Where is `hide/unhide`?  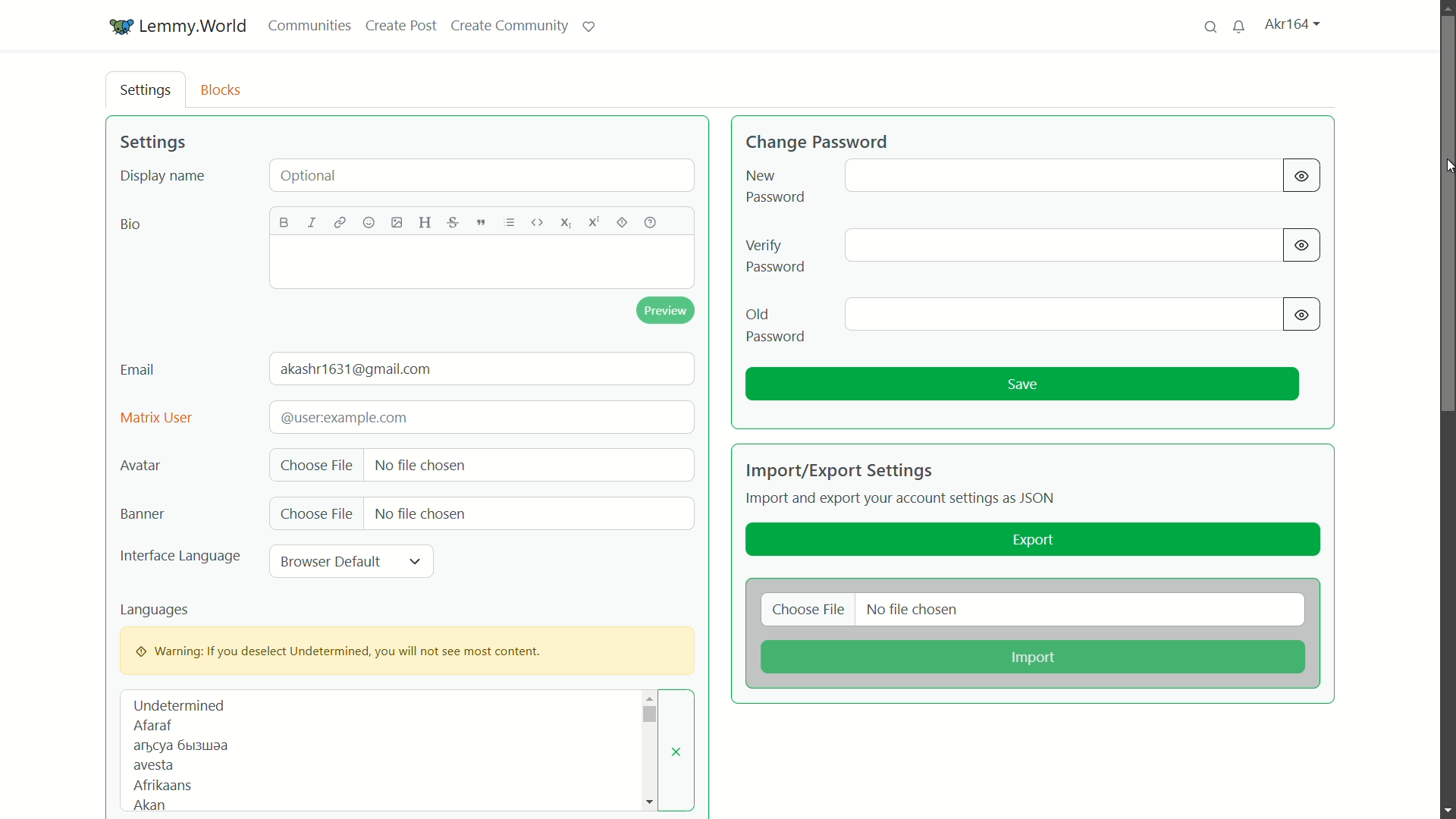
hide/unhide is located at coordinates (1302, 246).